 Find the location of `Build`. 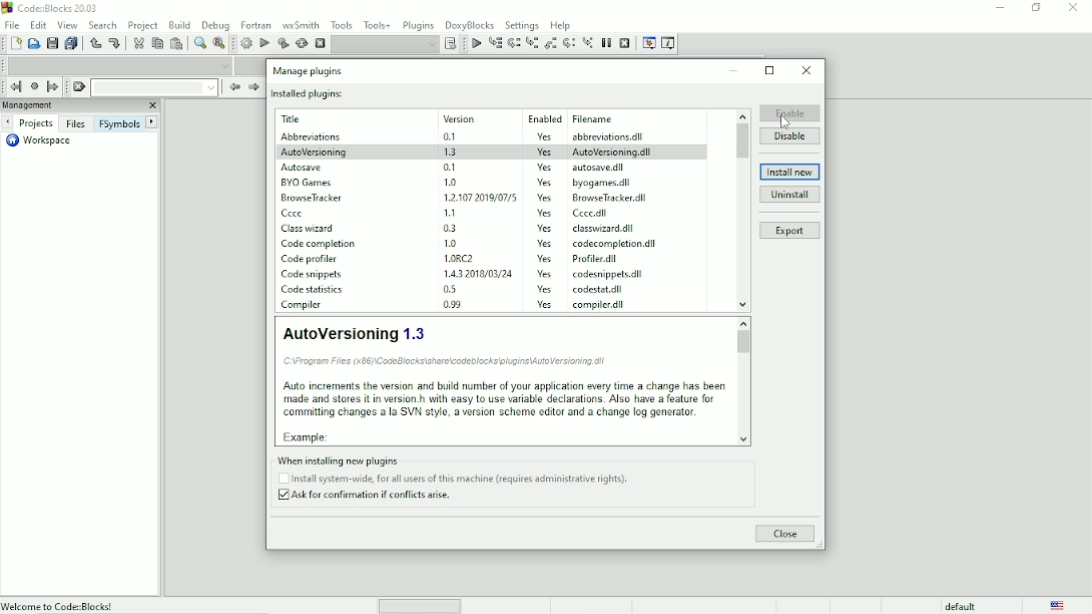

Build is located at coordinates (179, 25).